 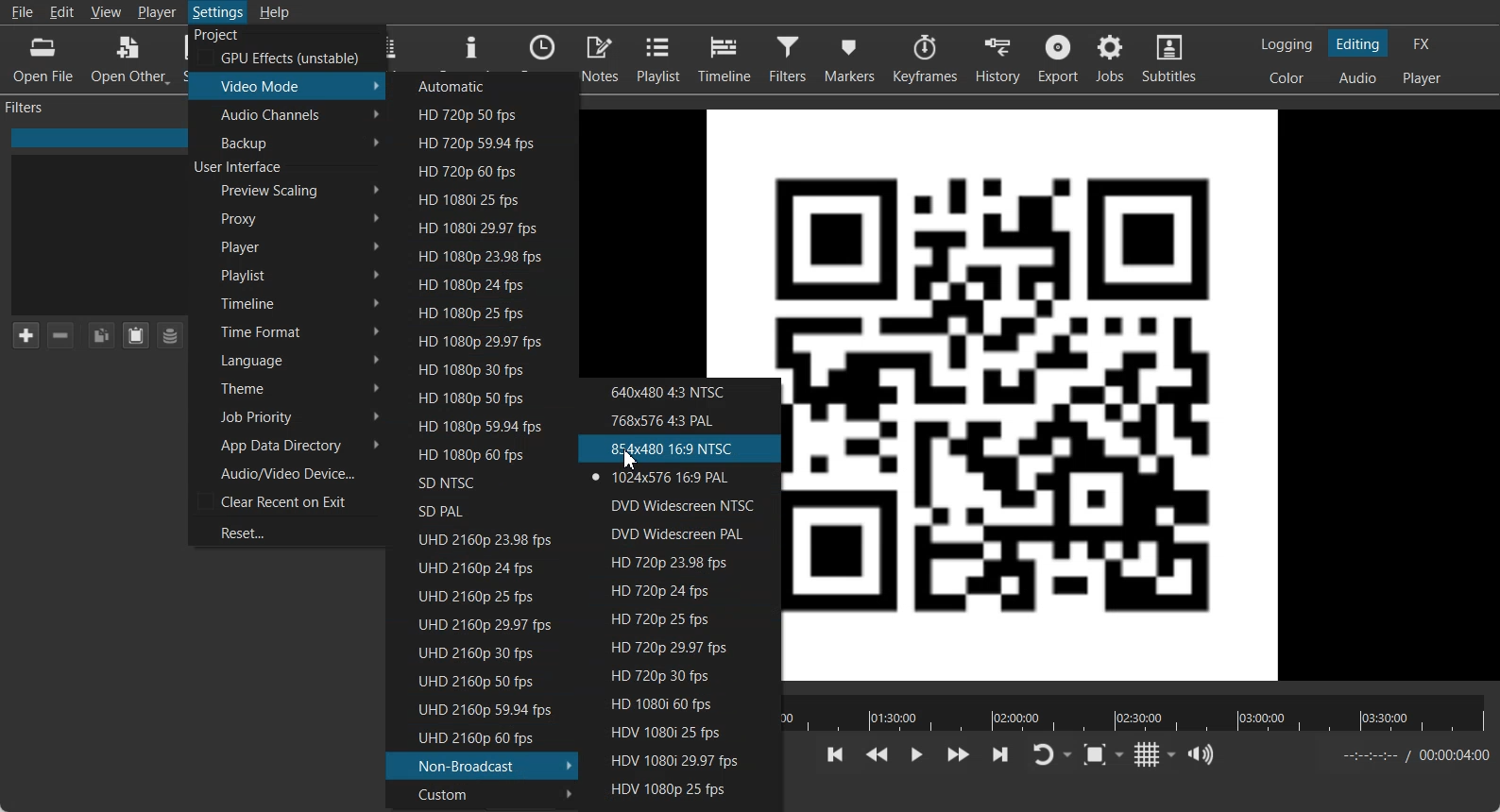 What do you see at coordinates (1058, 59) in the screenshot?
I see `Export` at bounding box center [1058, 59].